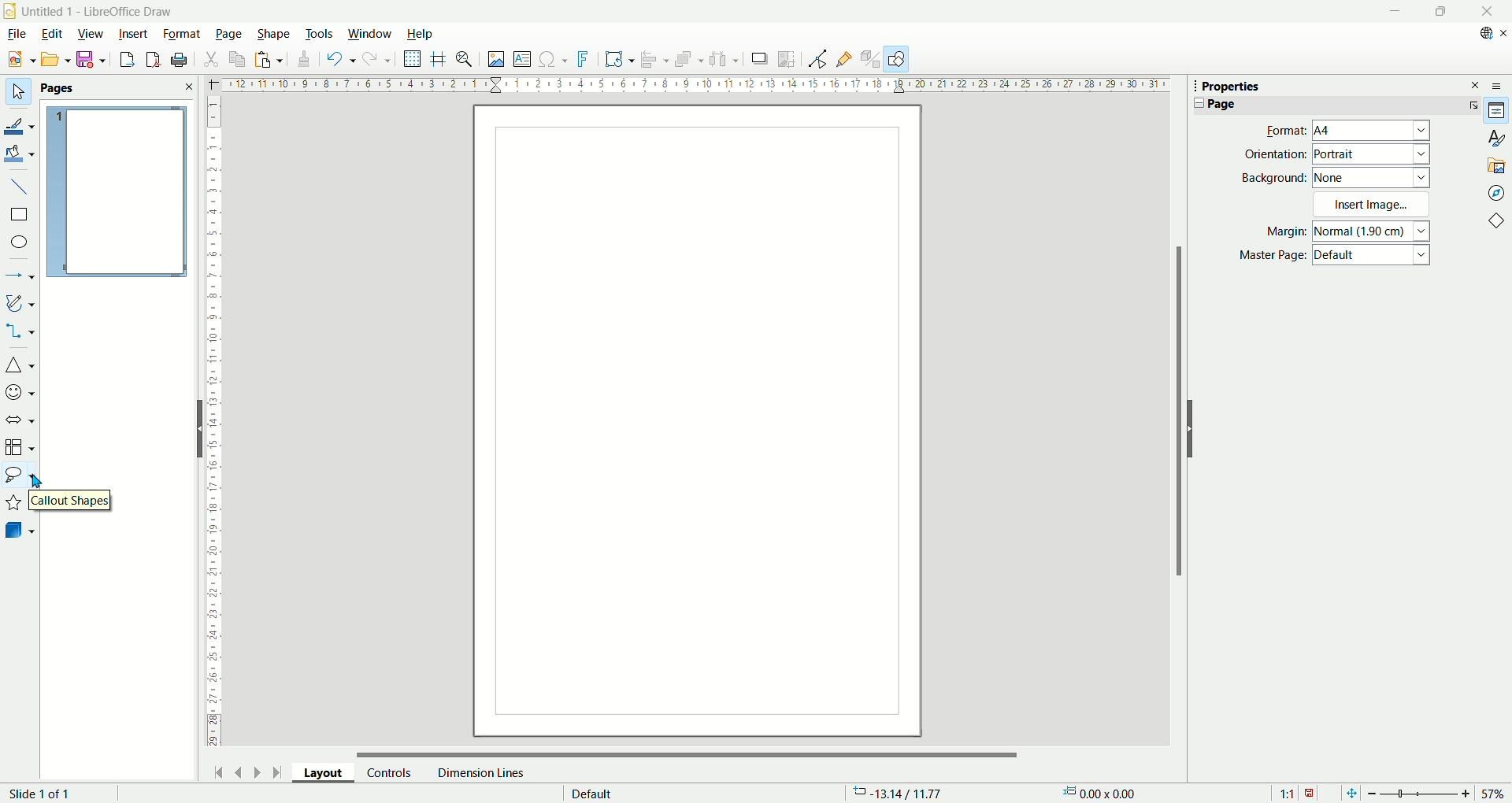  I want to click on Orientaion, so click(1275, 154).